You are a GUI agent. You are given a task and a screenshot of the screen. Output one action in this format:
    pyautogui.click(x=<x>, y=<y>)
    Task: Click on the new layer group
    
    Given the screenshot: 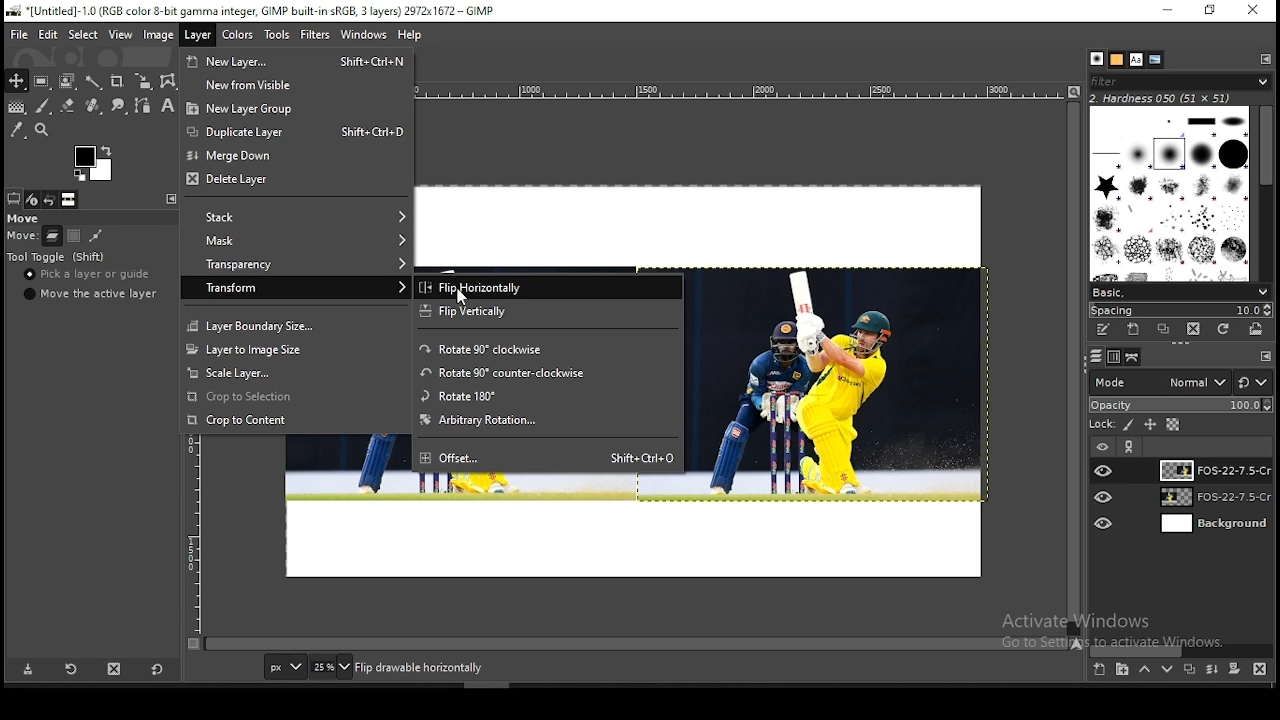 What is the action you would take?
    pyautogui.click(x=298, y=107)
    